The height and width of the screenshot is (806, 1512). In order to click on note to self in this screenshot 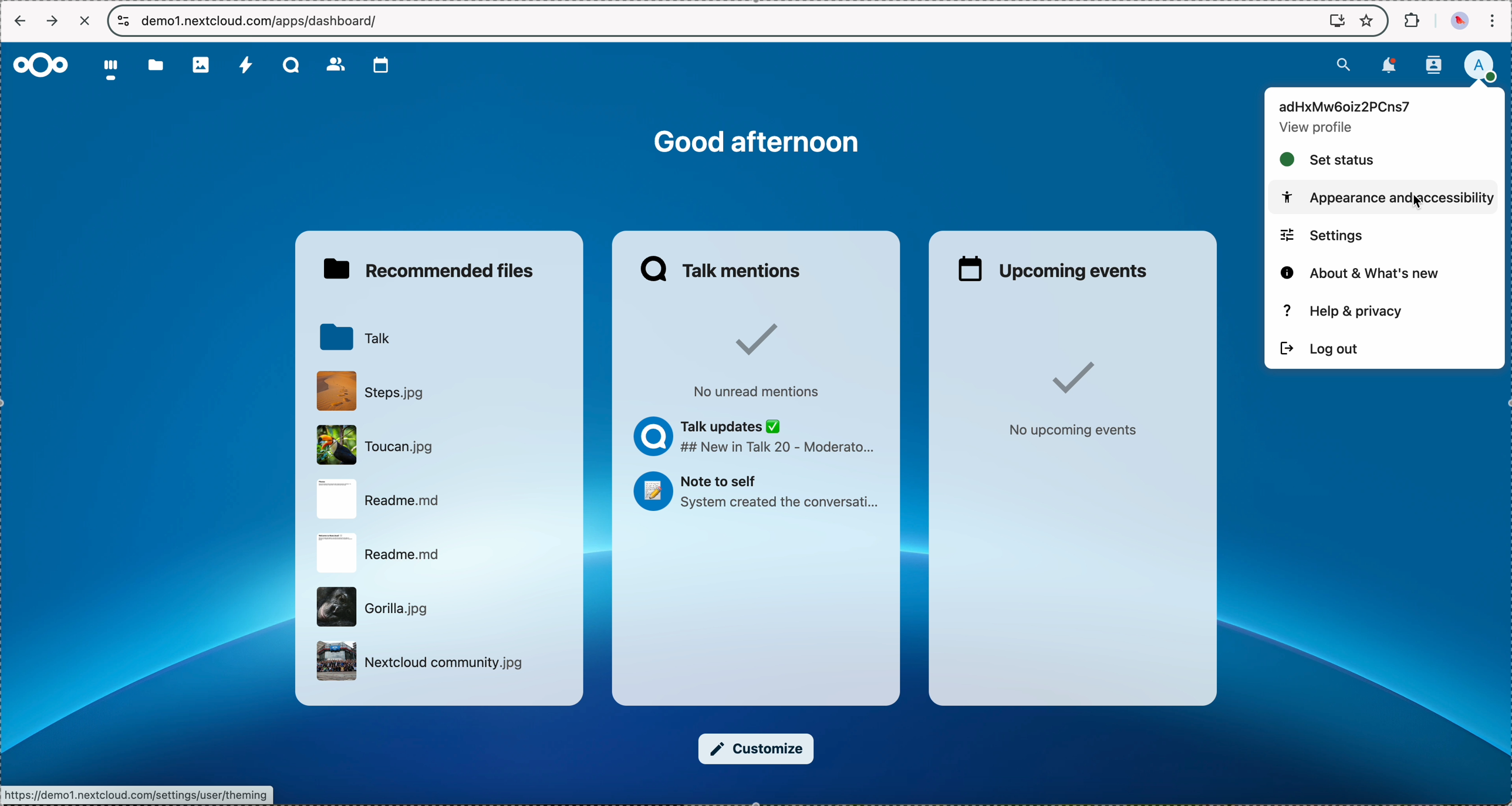, I will do `click(761, 493)`.